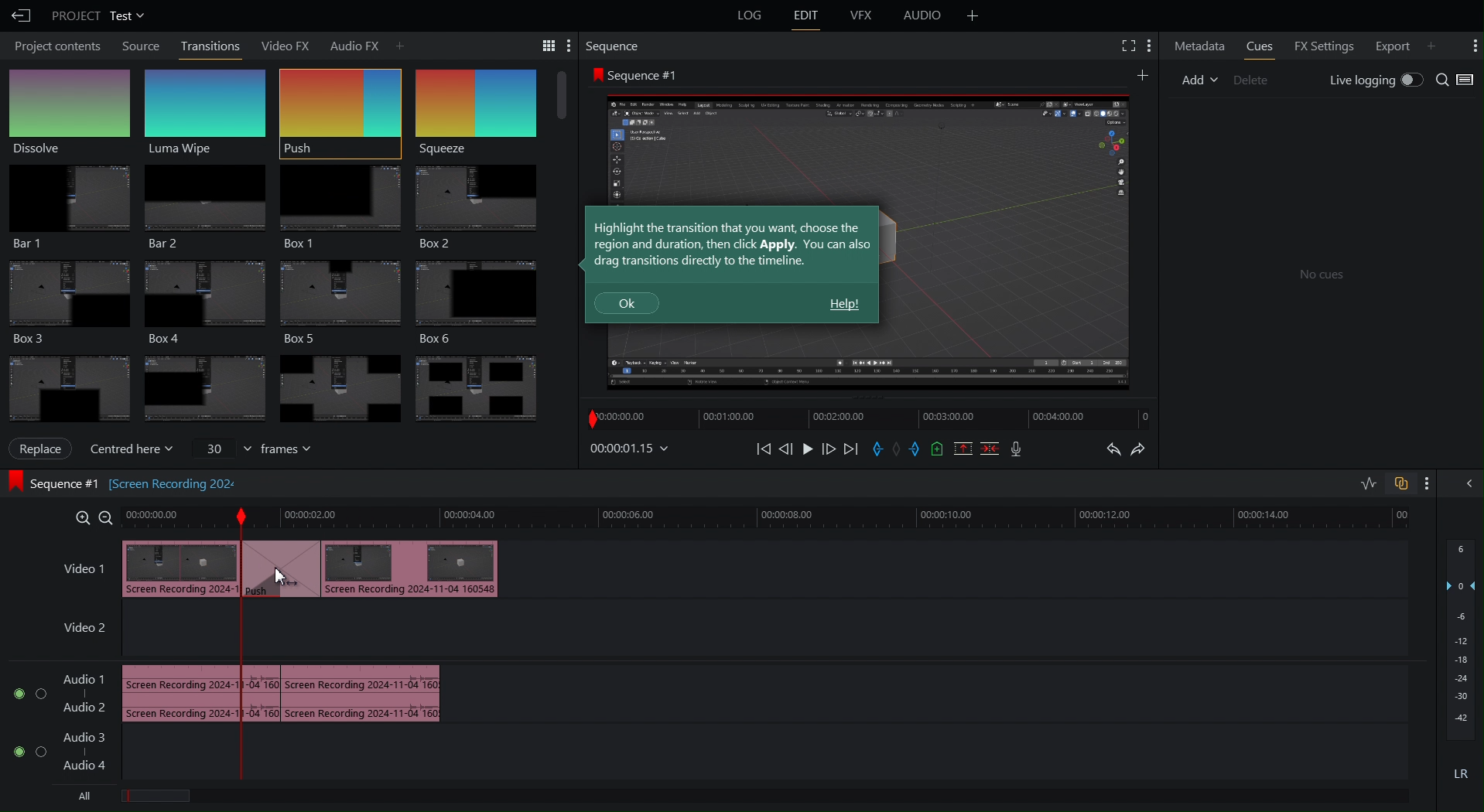 The width and height of the screenshot is (1484, 812). I want to click on Delete, so click(1251, 79).